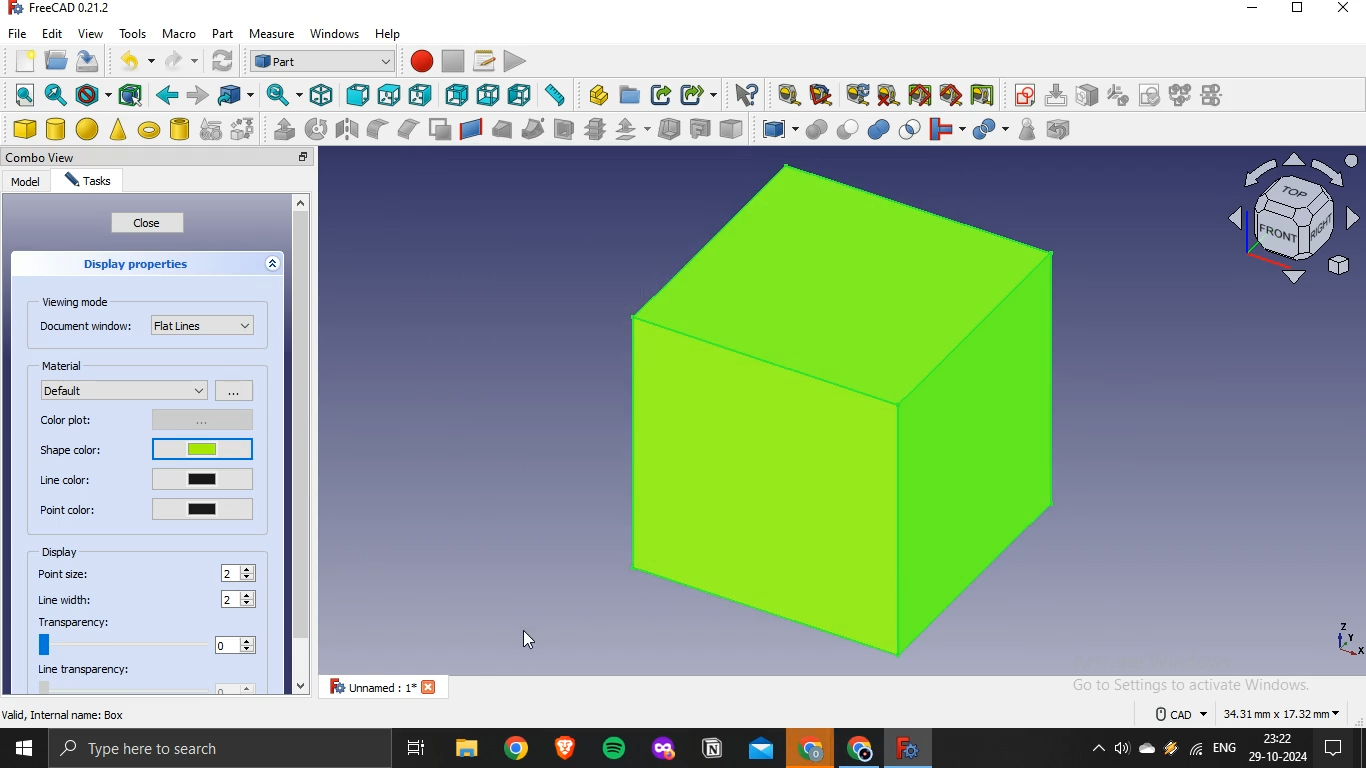 This screenshot has width=1366, height=768. What do you see at coordinates (90, 95) in the screenshot?
I see `draw style` at bounding box center [90, 95].